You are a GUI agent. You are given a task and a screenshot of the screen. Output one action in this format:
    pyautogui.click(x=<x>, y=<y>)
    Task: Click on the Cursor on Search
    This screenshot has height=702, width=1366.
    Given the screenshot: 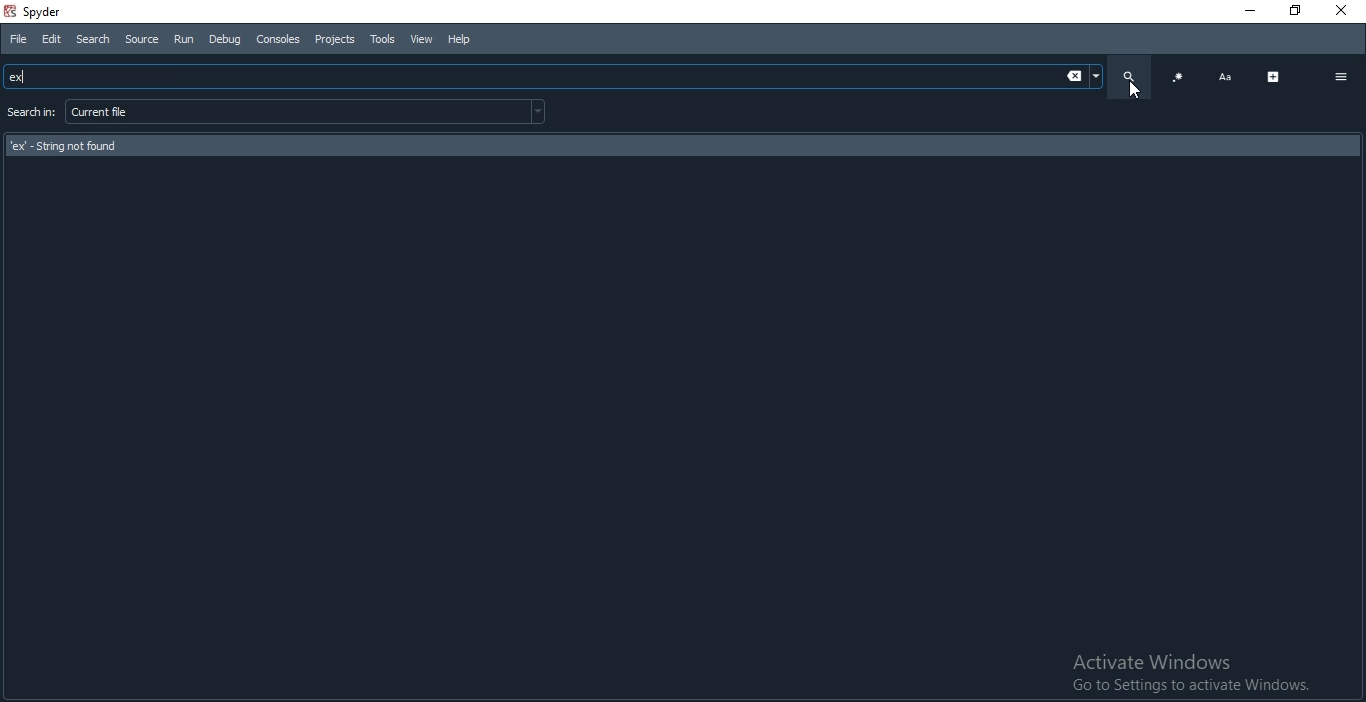 What is the action you would take?
    pyautogui.click(x=1138, y=92)
    